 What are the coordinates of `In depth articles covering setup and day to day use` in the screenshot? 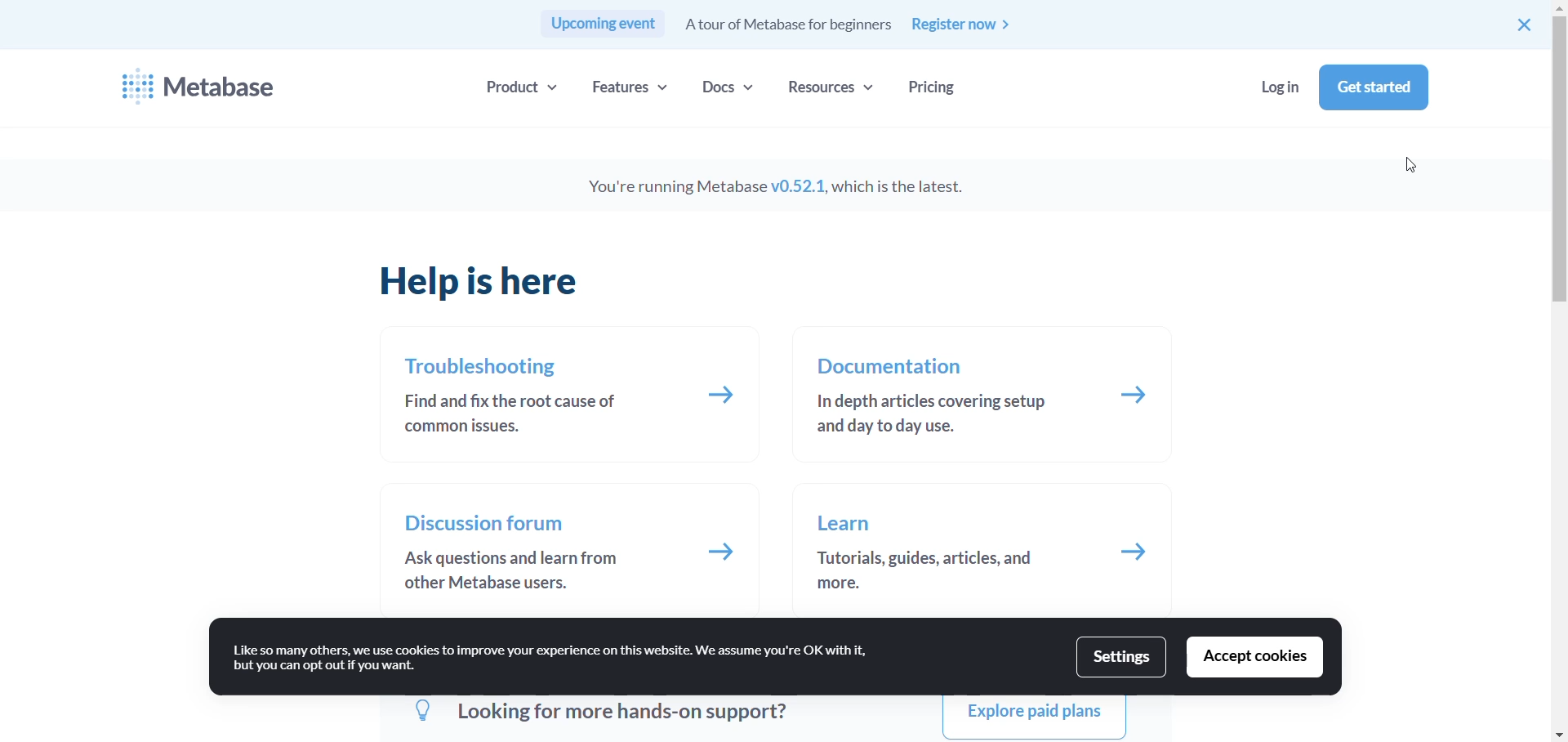 It's located at (932, 418).